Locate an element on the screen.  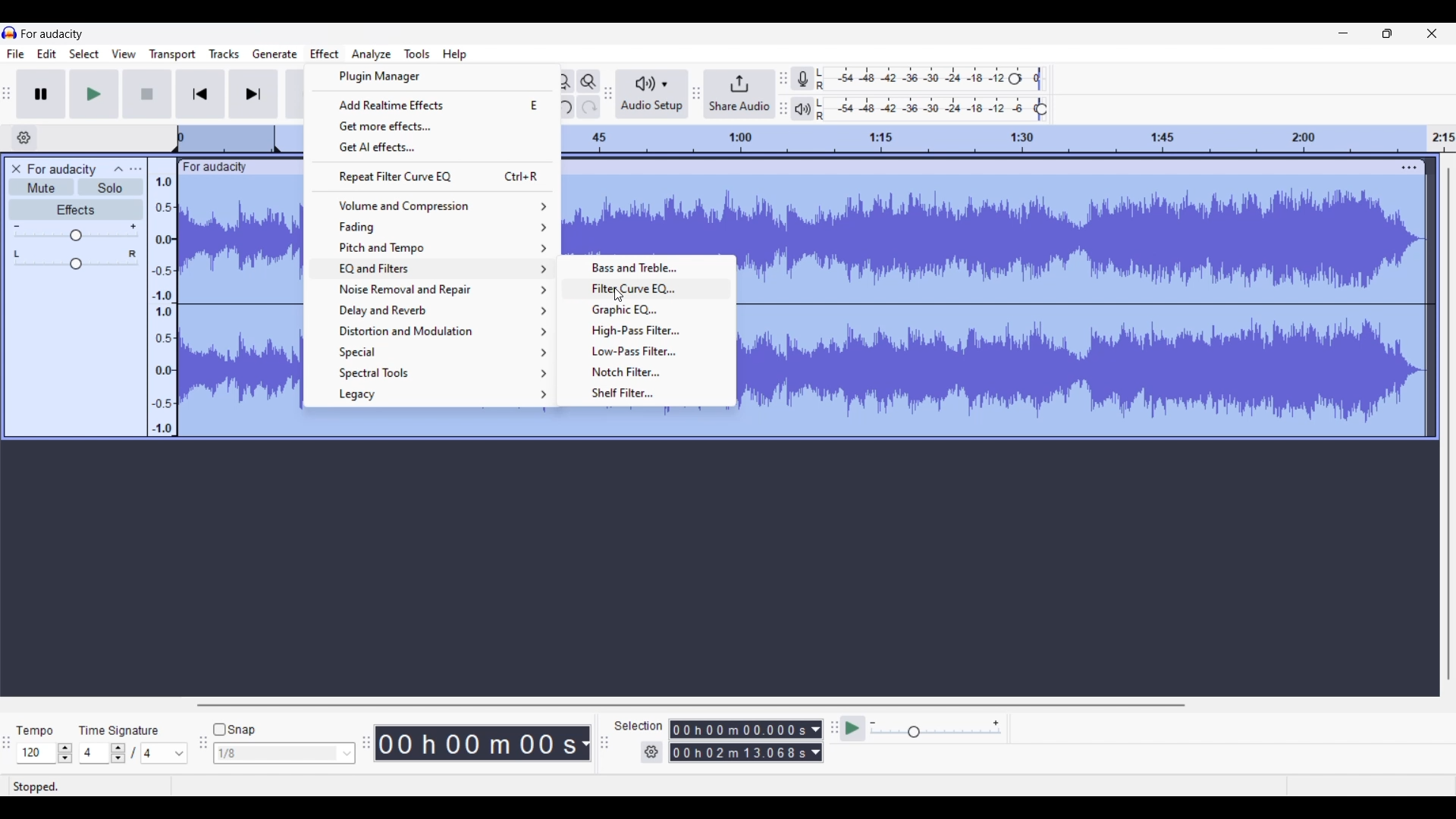
Pan left is located at coordinates (17, 254).